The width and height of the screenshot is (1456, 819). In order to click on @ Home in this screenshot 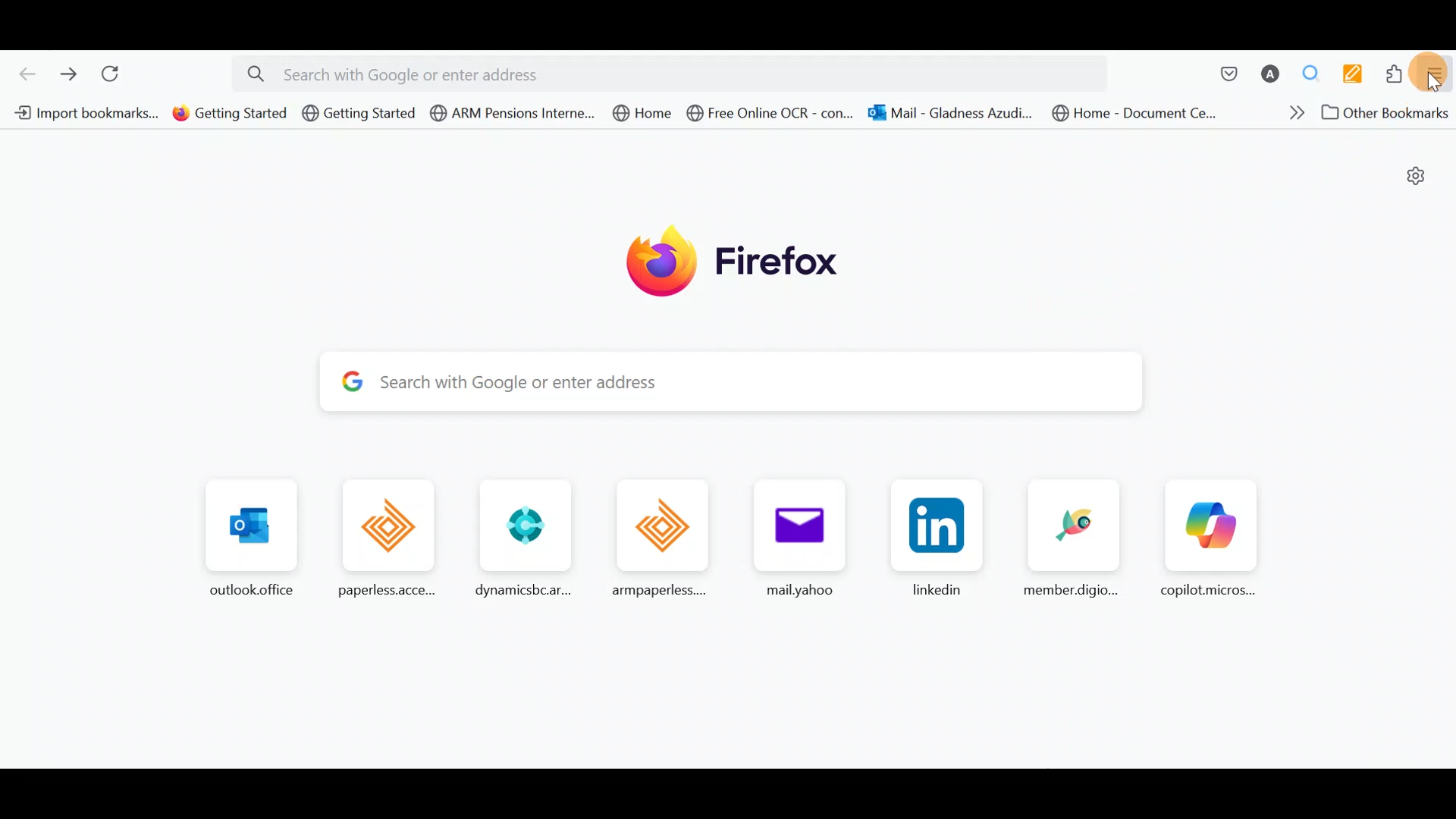, I will do `click(641, 112)`.